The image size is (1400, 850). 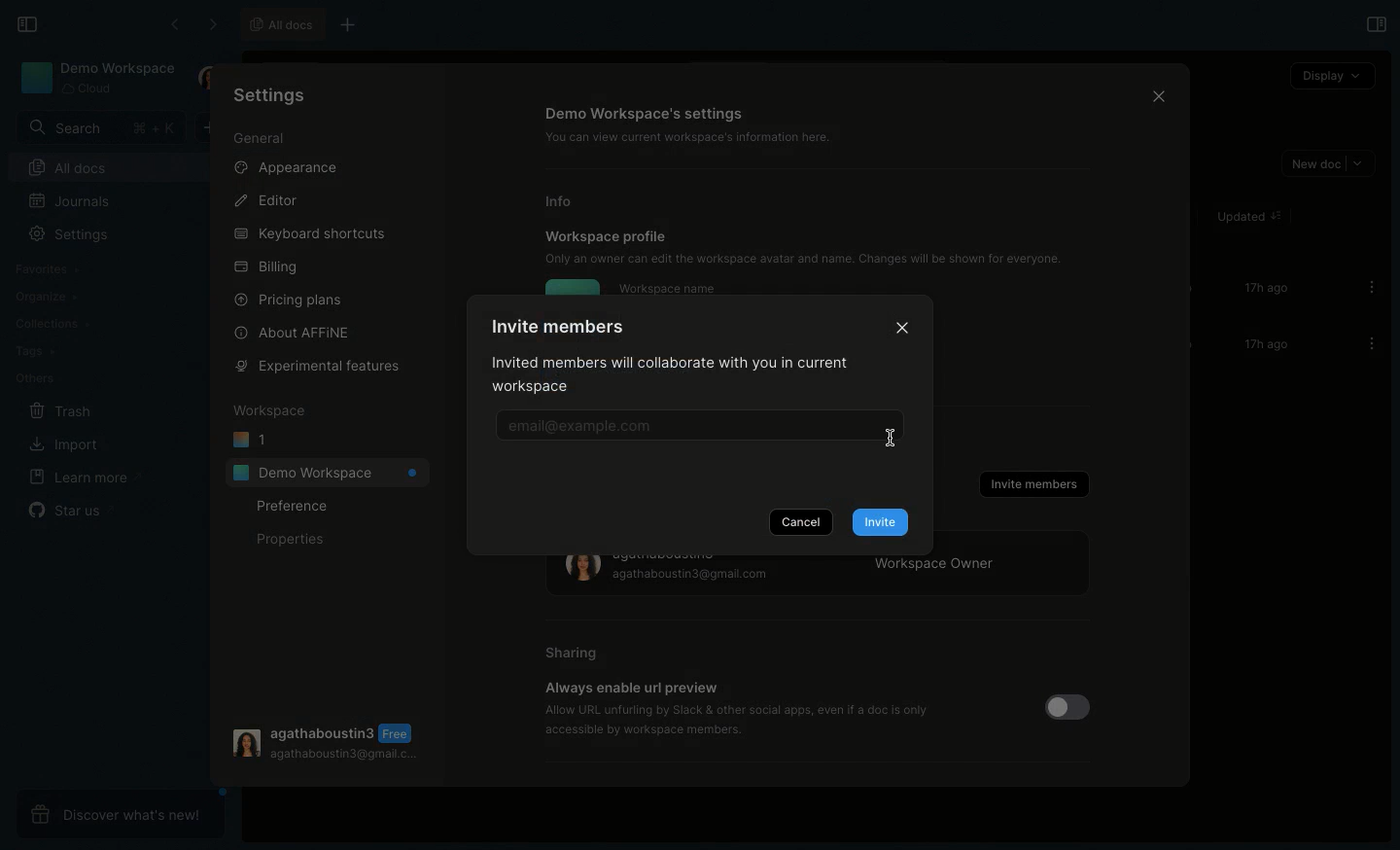 What do you see at coordinates (1366, 343) in the screenshot?
I see `Options` at bounding box center [1366, 343].